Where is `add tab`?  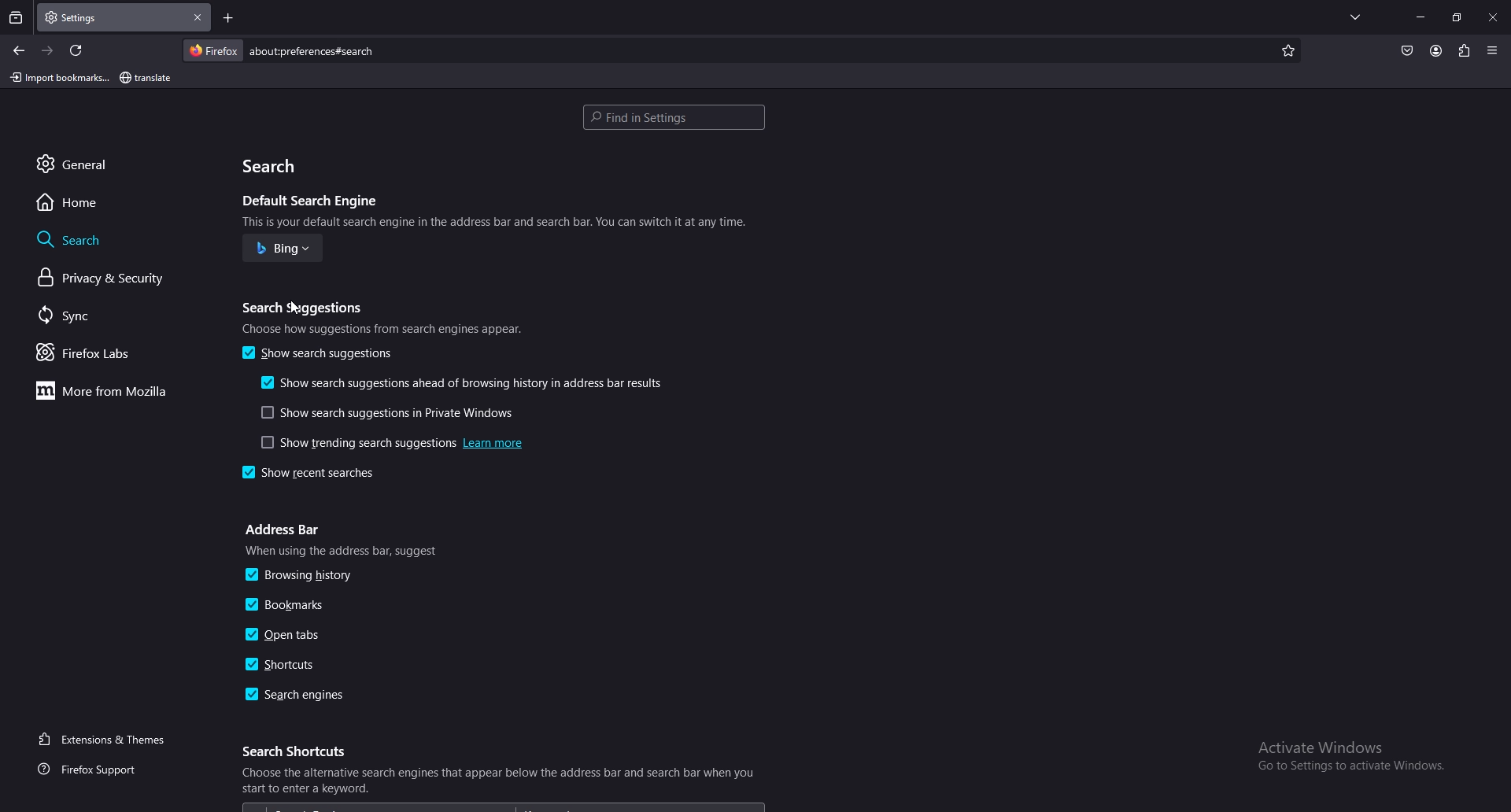 add tab is located at coordinates (229, 18).